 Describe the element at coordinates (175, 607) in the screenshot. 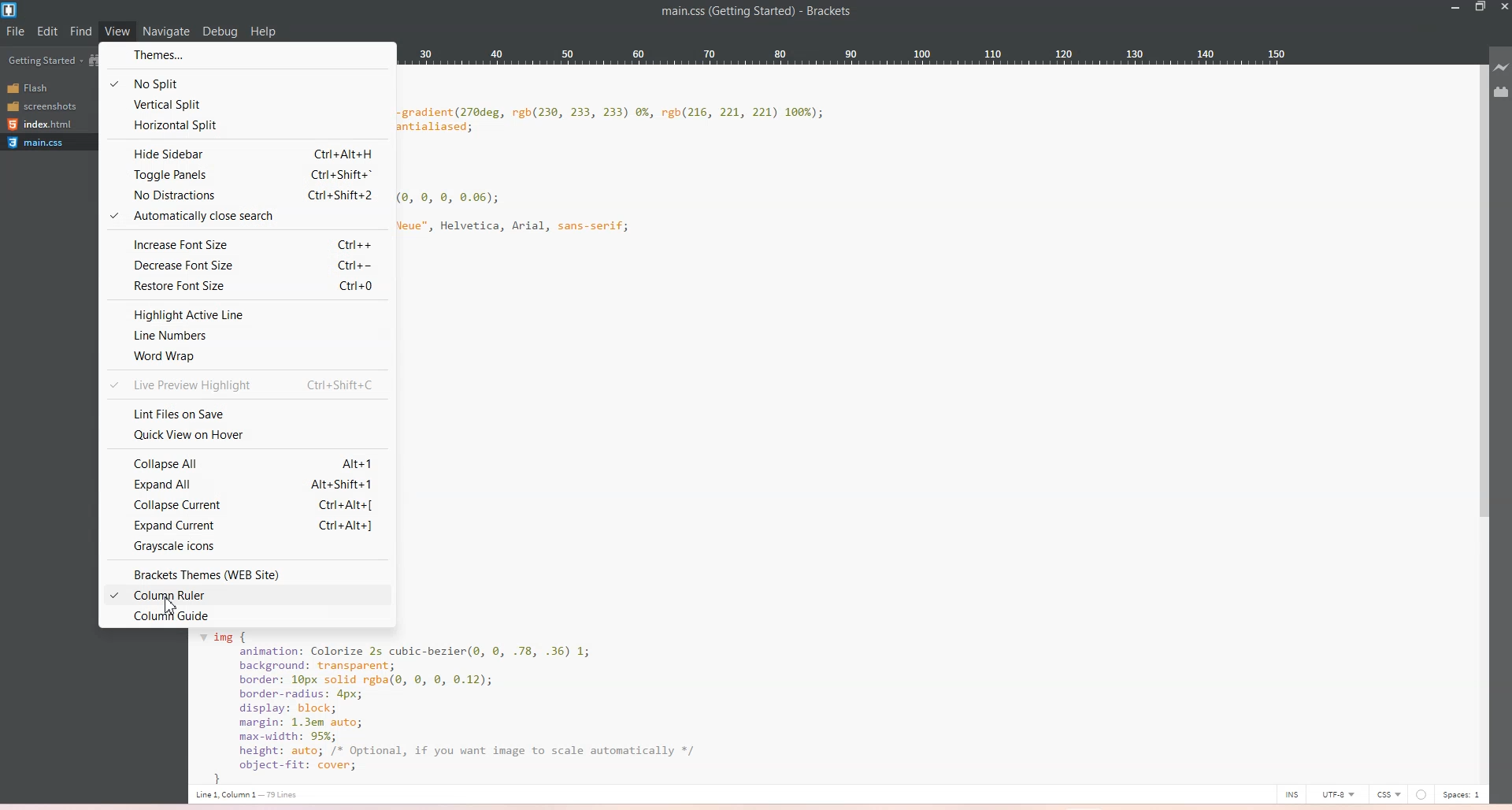

I see `Cursor` at that location.